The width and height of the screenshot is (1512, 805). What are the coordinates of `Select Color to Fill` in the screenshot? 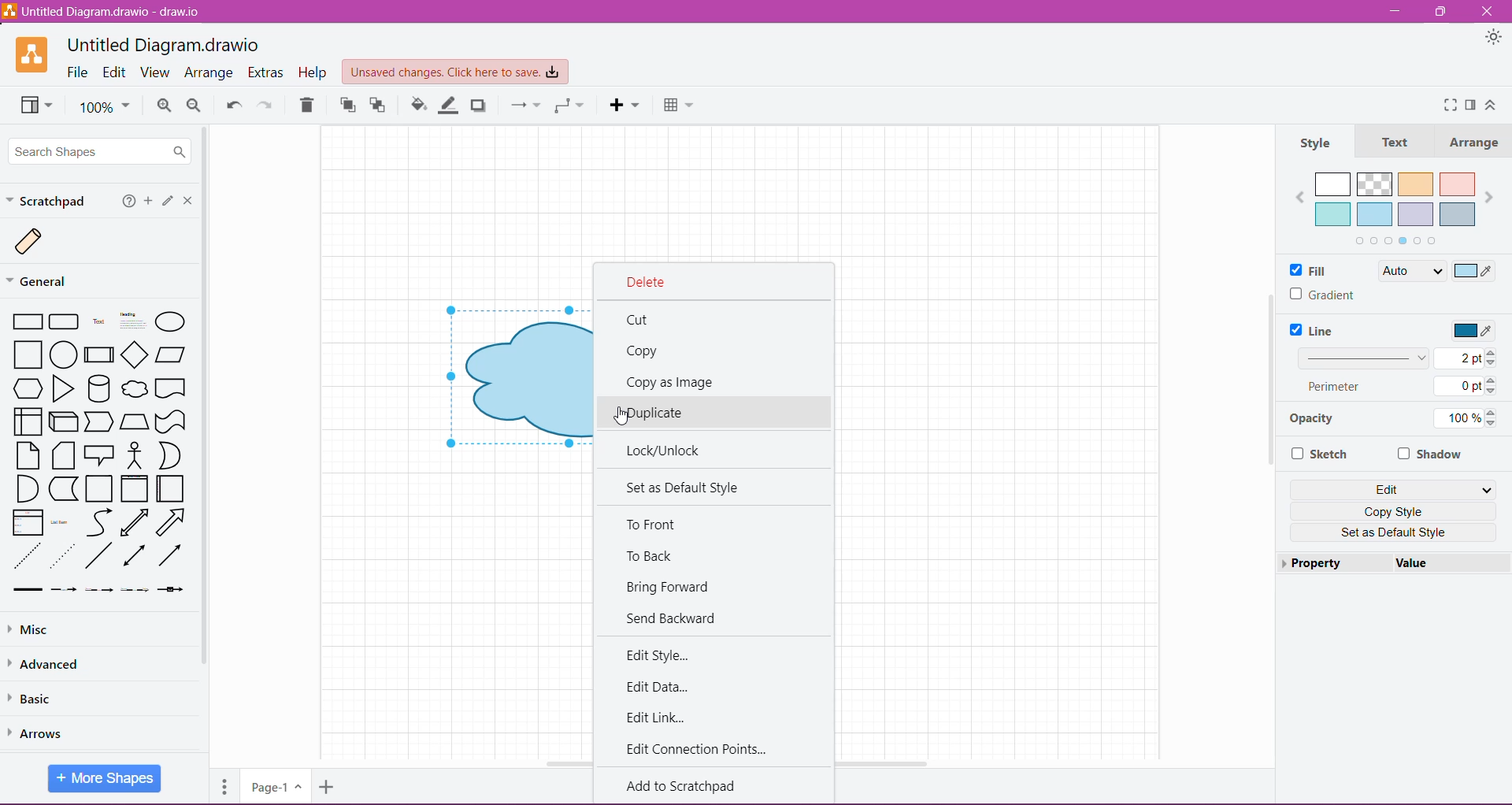 It's located at (1475, 273).